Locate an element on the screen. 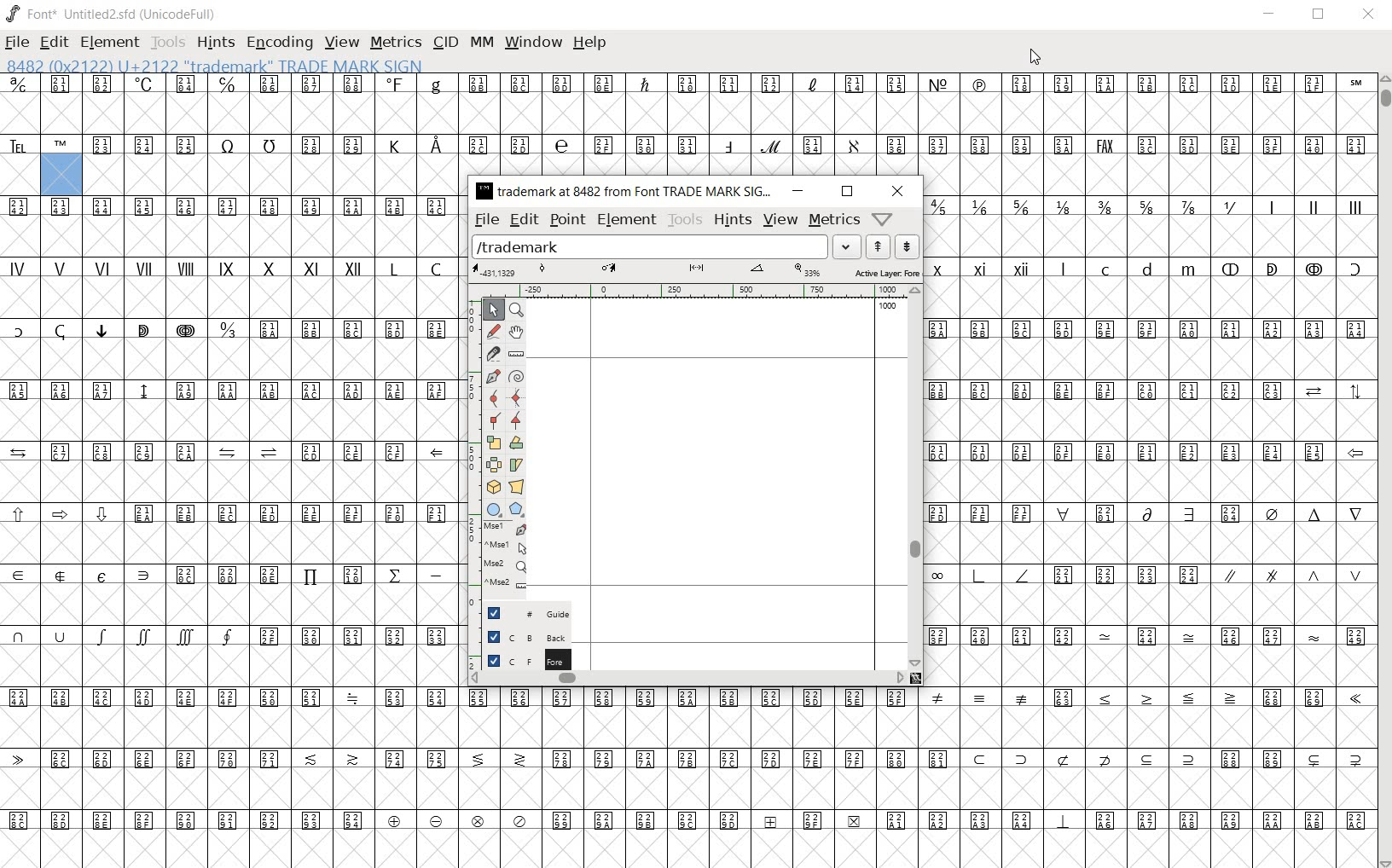 The height and width of the screenshot is (868, 1392). element is located at coordinates (626, 220).